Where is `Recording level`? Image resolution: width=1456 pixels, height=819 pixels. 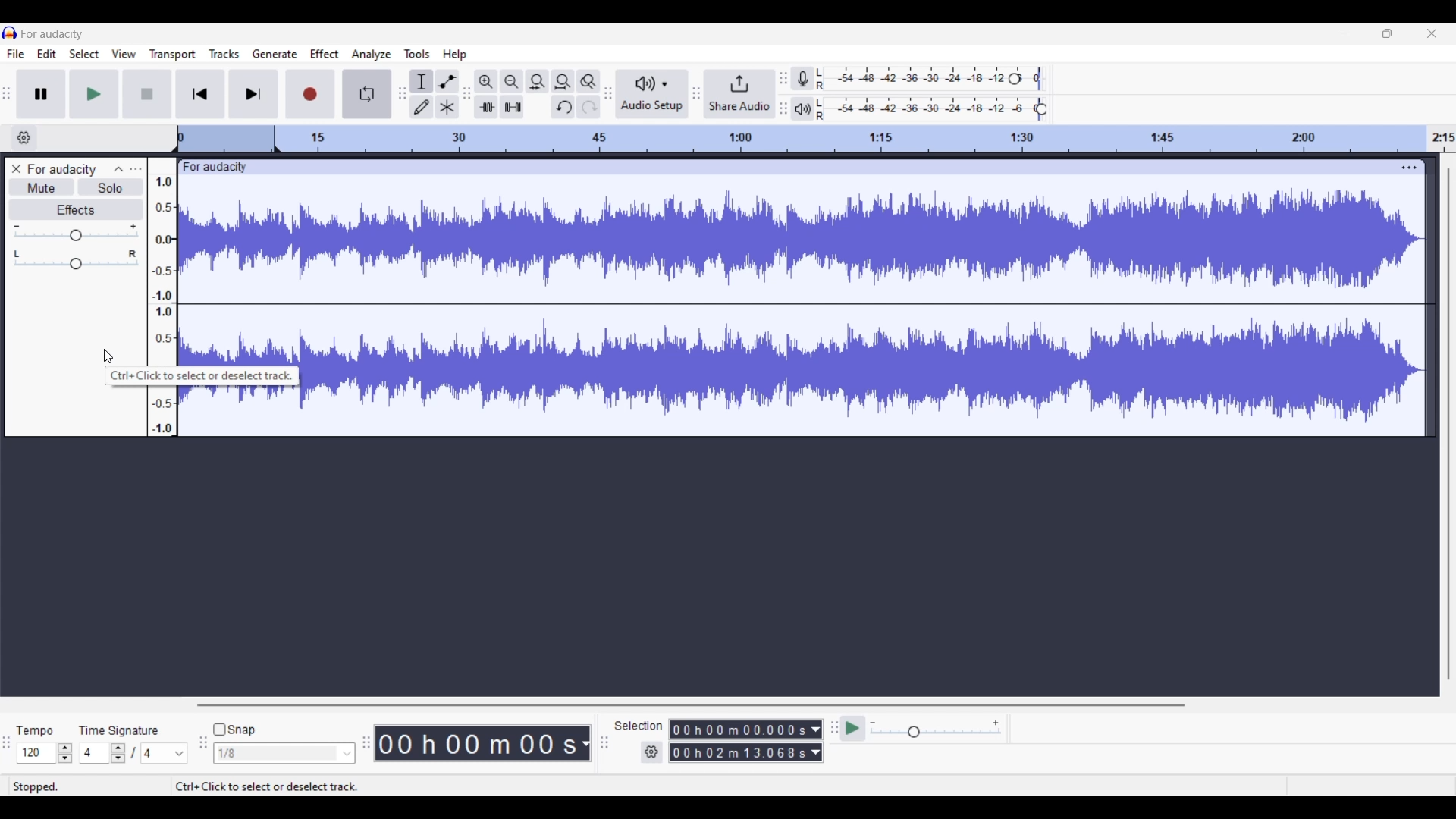
Recording level is located at coordinates (915, 79).